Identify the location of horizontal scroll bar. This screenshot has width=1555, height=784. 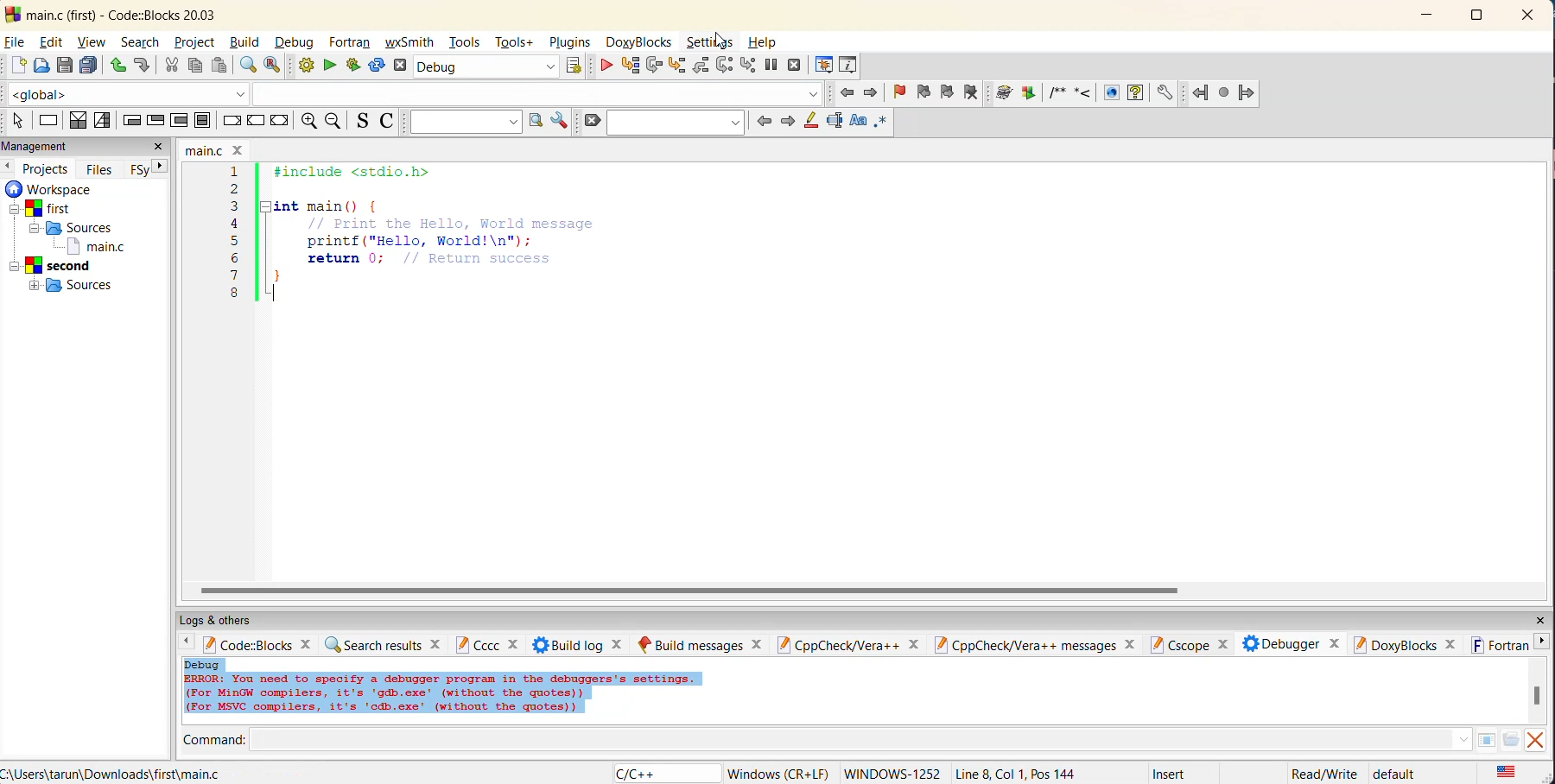
(695, 591).